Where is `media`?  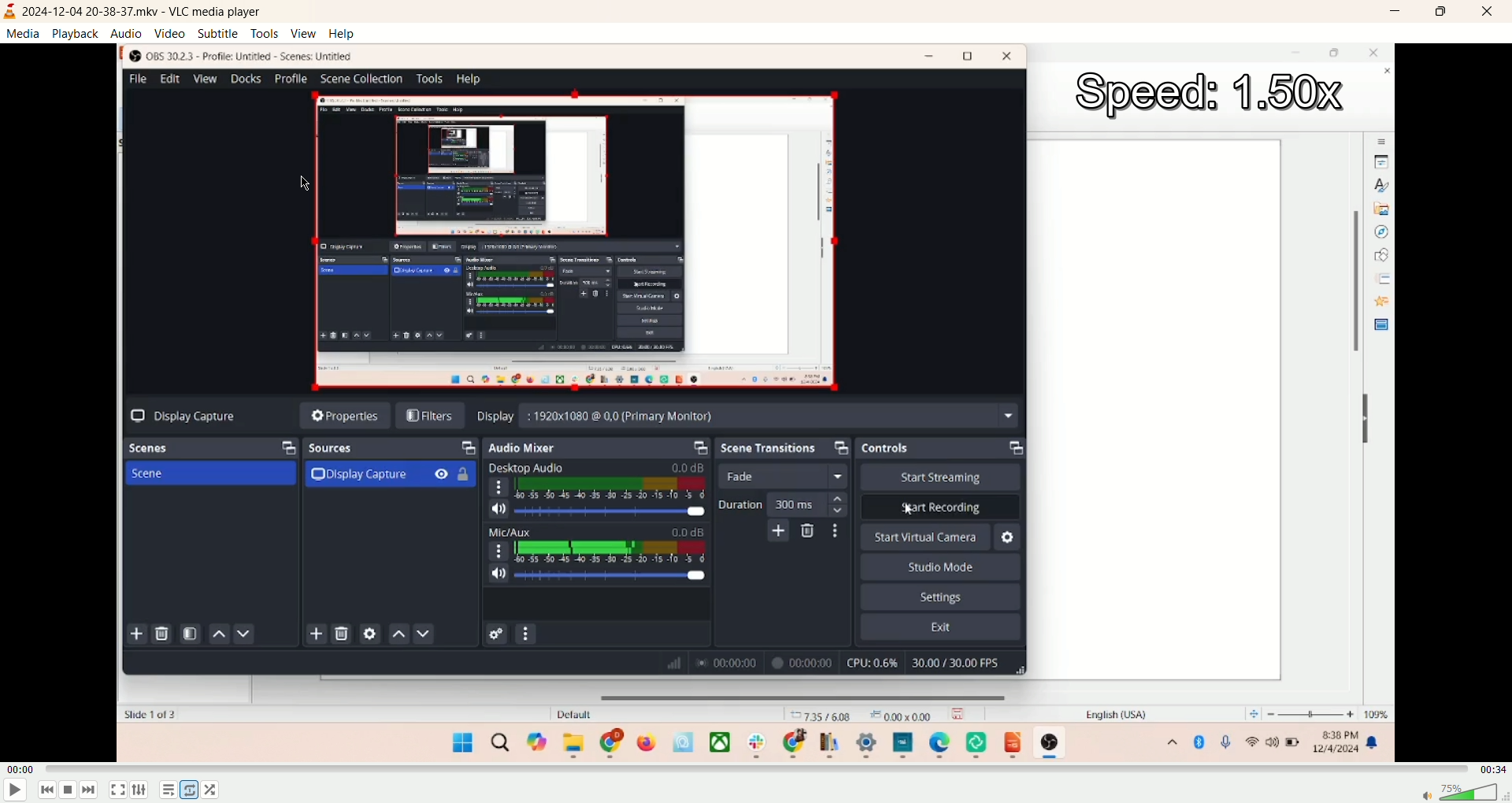
media is located at coordinates (23, 35).